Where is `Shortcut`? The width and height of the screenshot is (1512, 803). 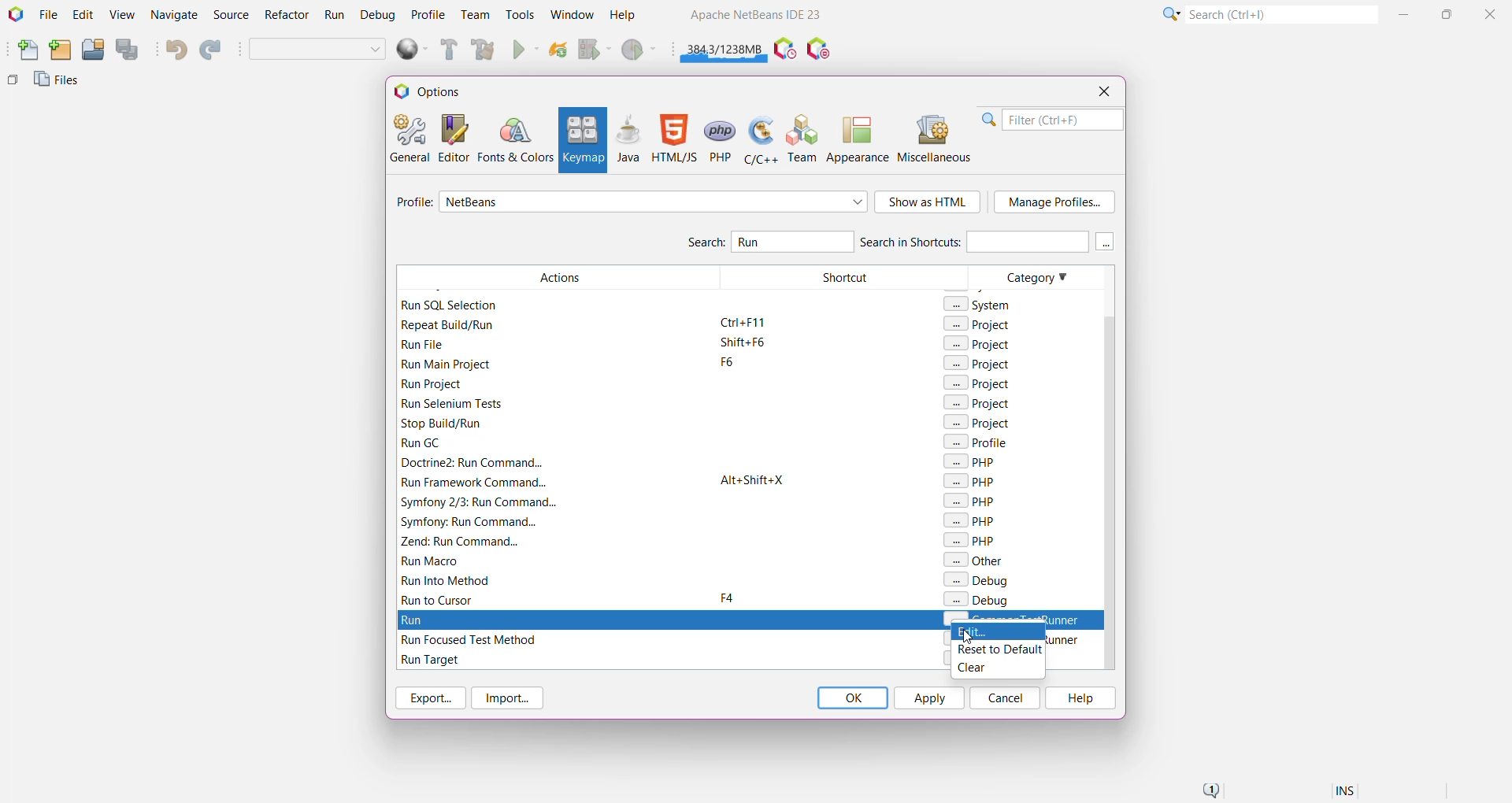 Shortcut is located at coordinates (845, 436).